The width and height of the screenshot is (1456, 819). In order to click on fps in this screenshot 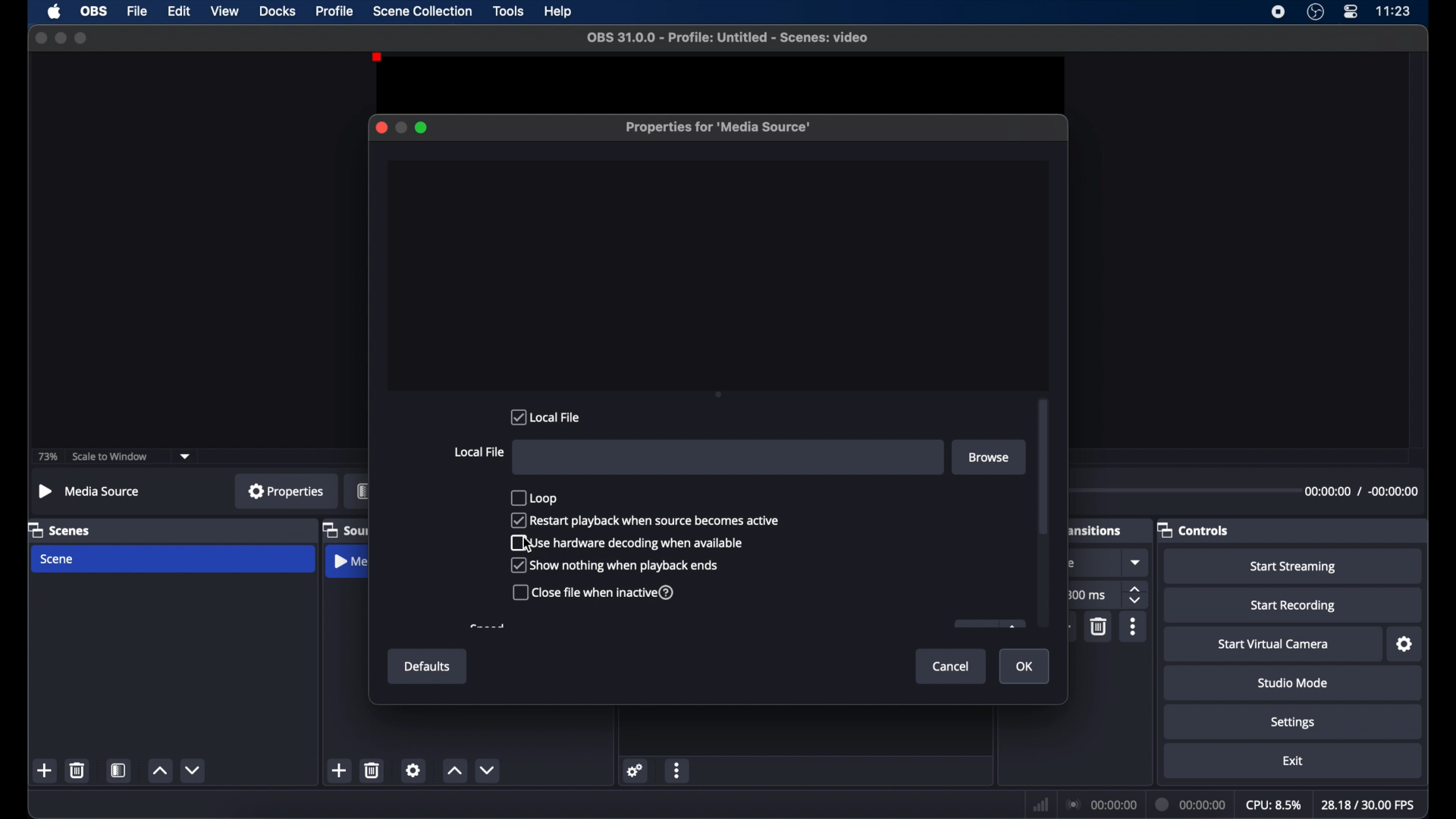, I will do `click(1370, 805)`.